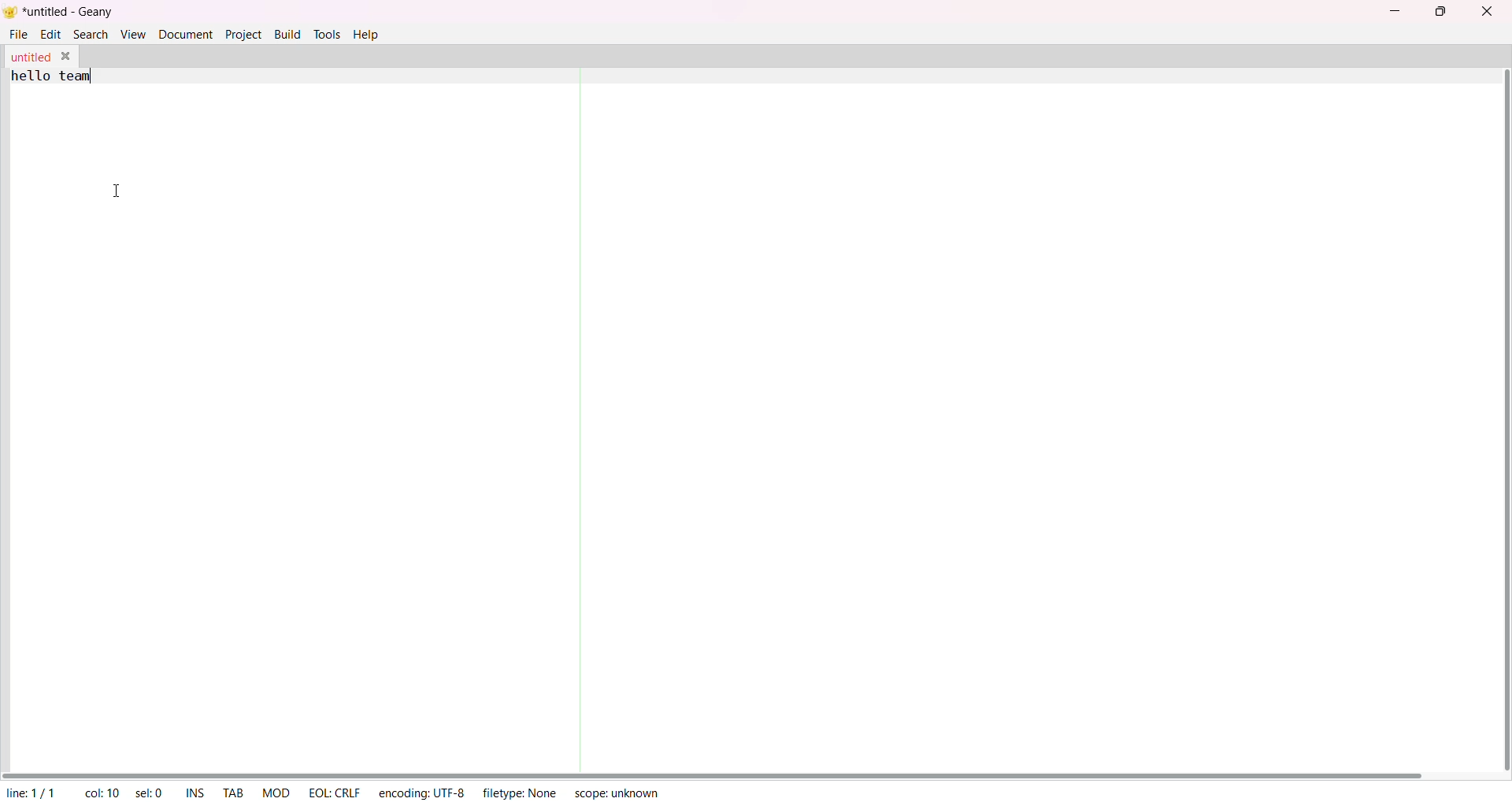 This screenshot has width=1512, height=802. Describe the element at coordinates (617, 792) in the screenshot. I see `scope: unknown` at that location.